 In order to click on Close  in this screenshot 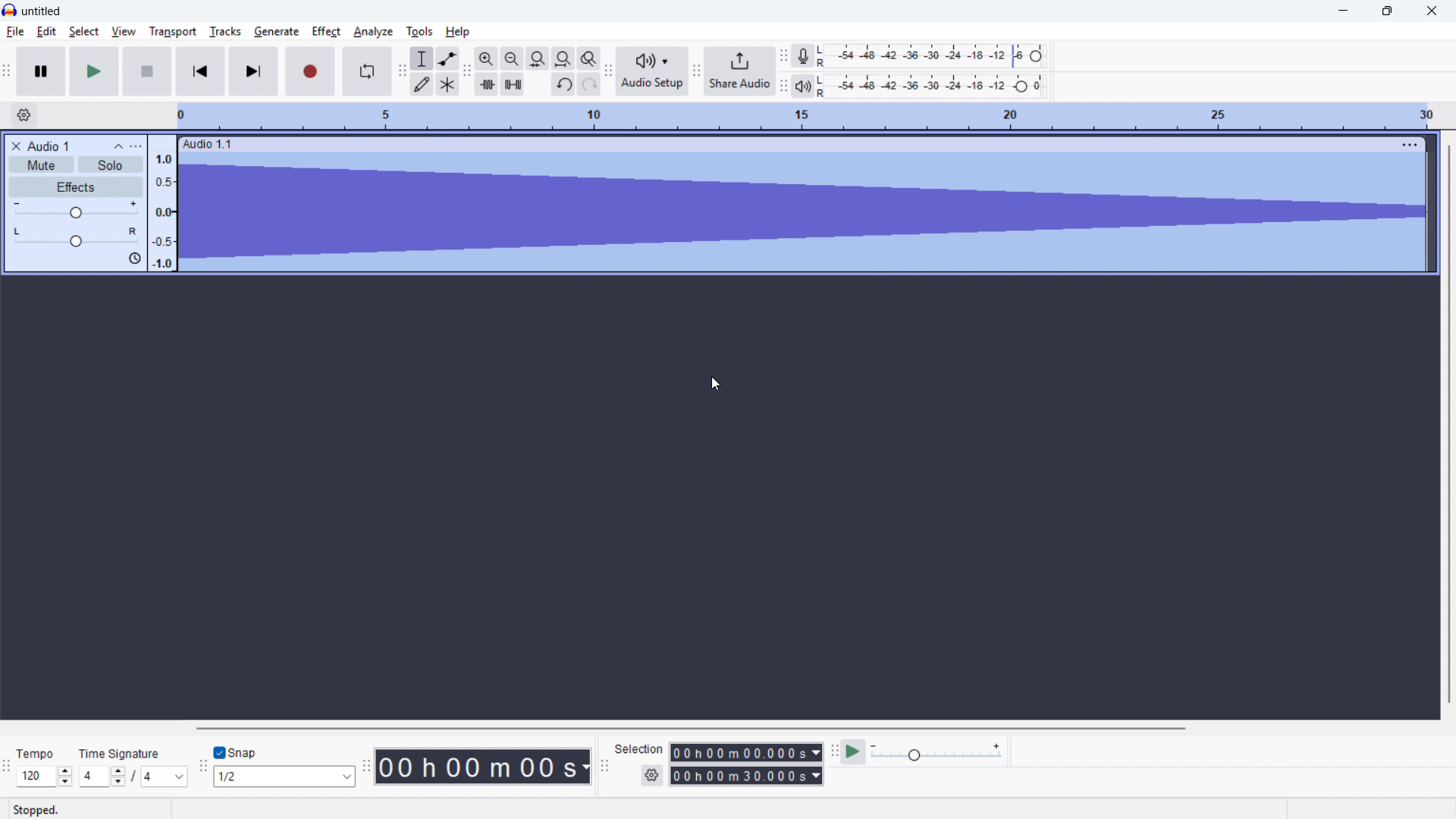, I will do `click(1431, 11)`.